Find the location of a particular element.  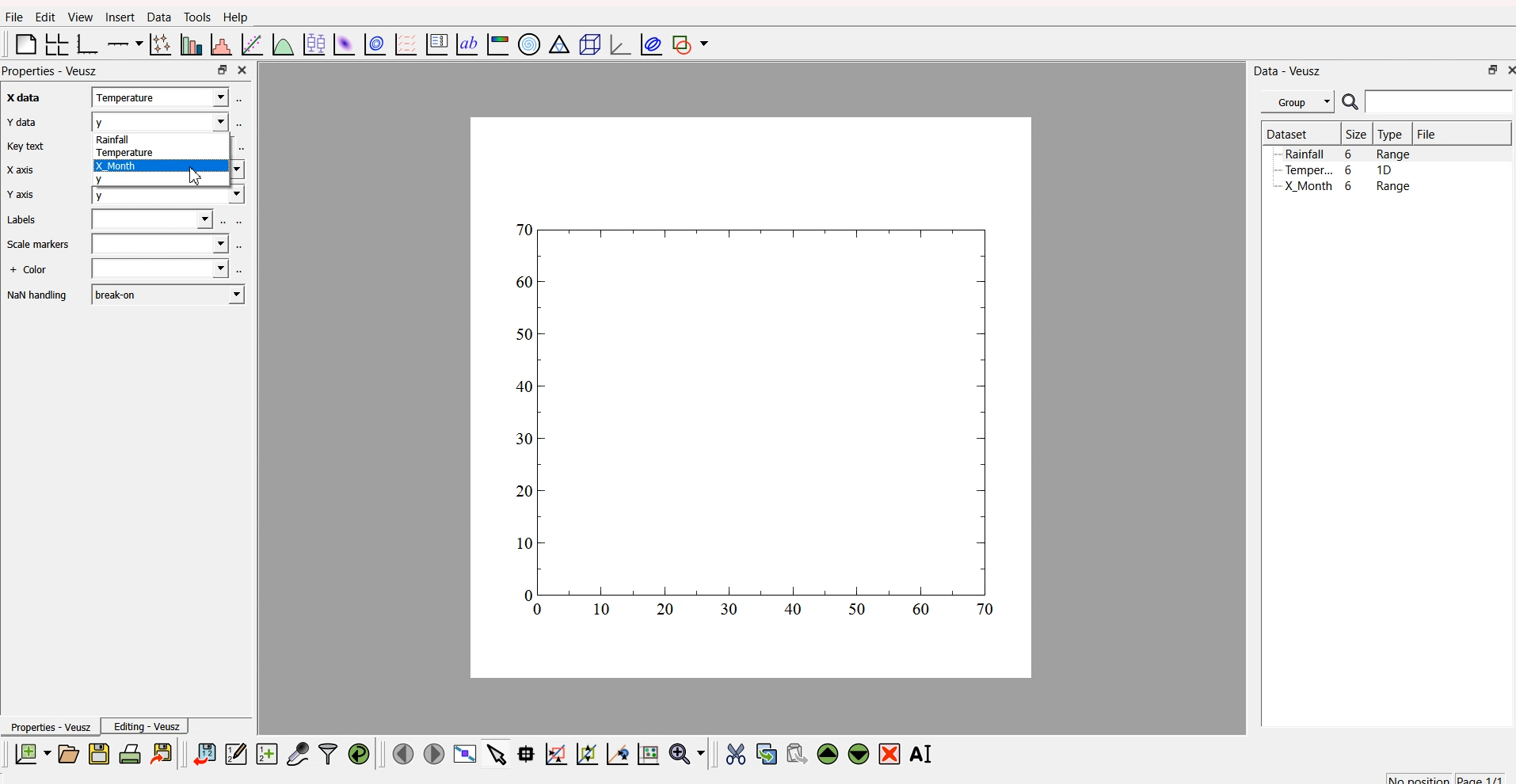

text label is located at coordinates (465, 45).